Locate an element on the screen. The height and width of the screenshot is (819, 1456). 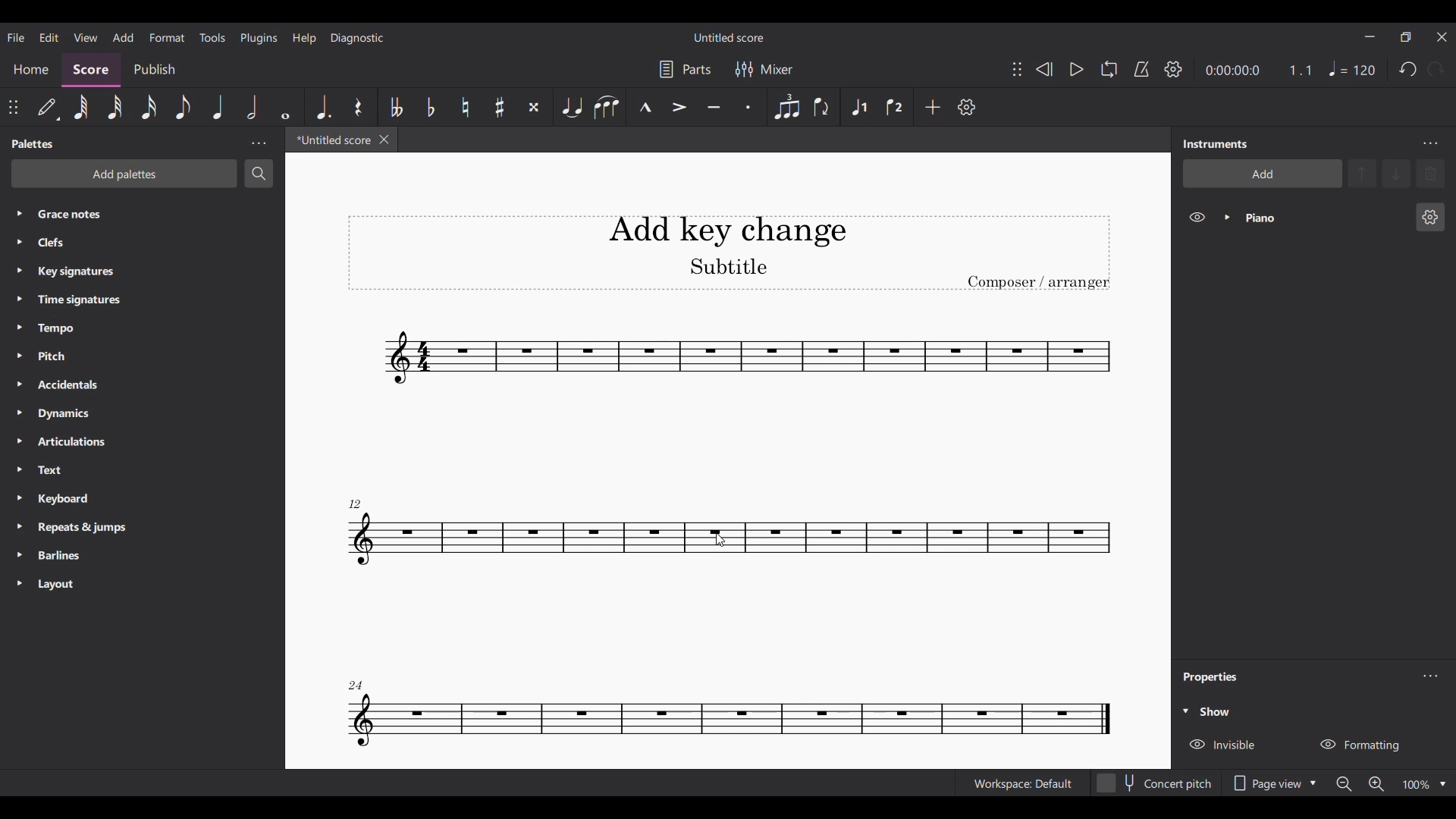
Tools menu is located at coordinates (212, 37).